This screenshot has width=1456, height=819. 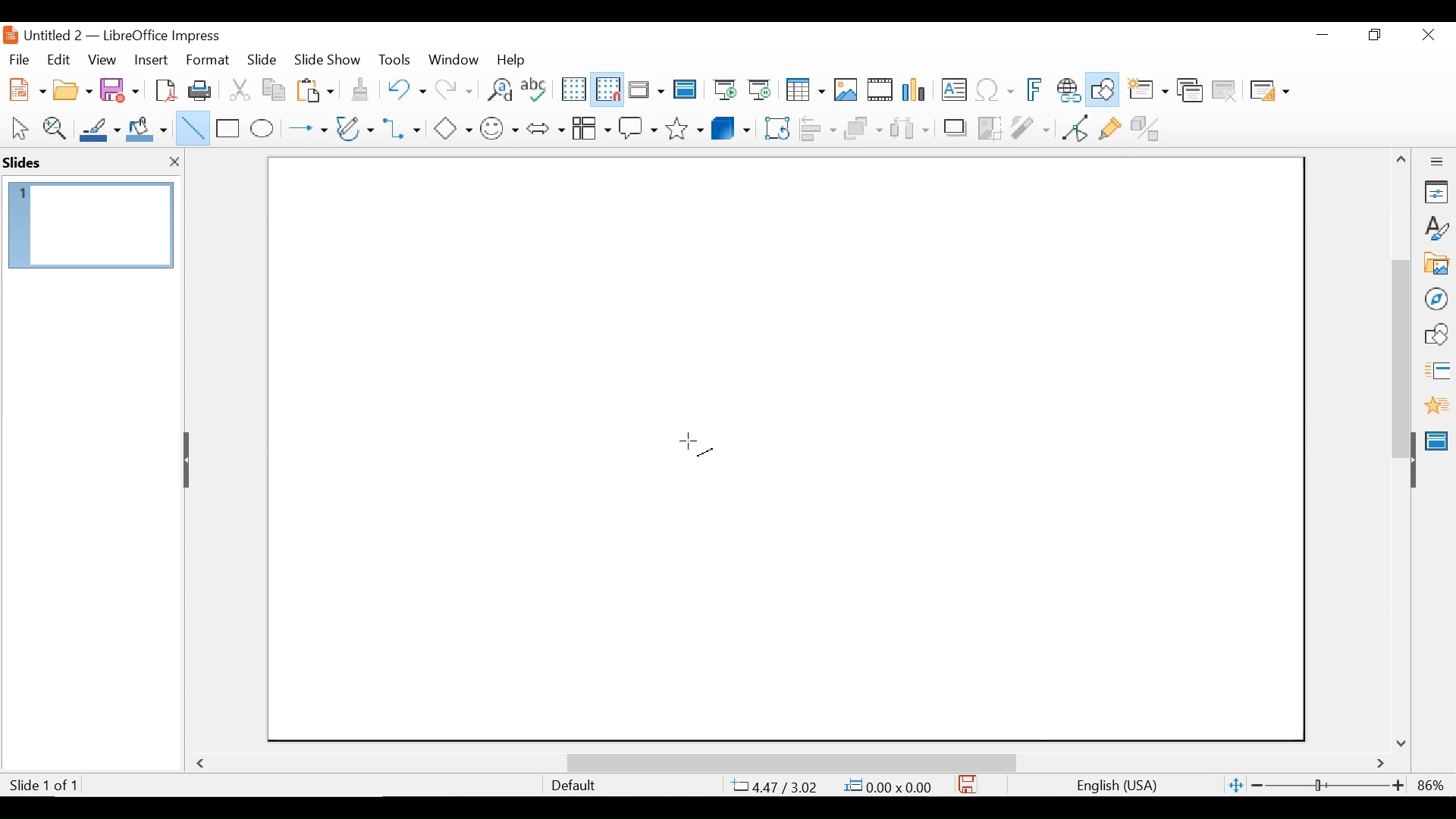 What do you see at coordinates (845, 90) in the screenshot?
I see `Insert Image` at bounding box center [845, 90].